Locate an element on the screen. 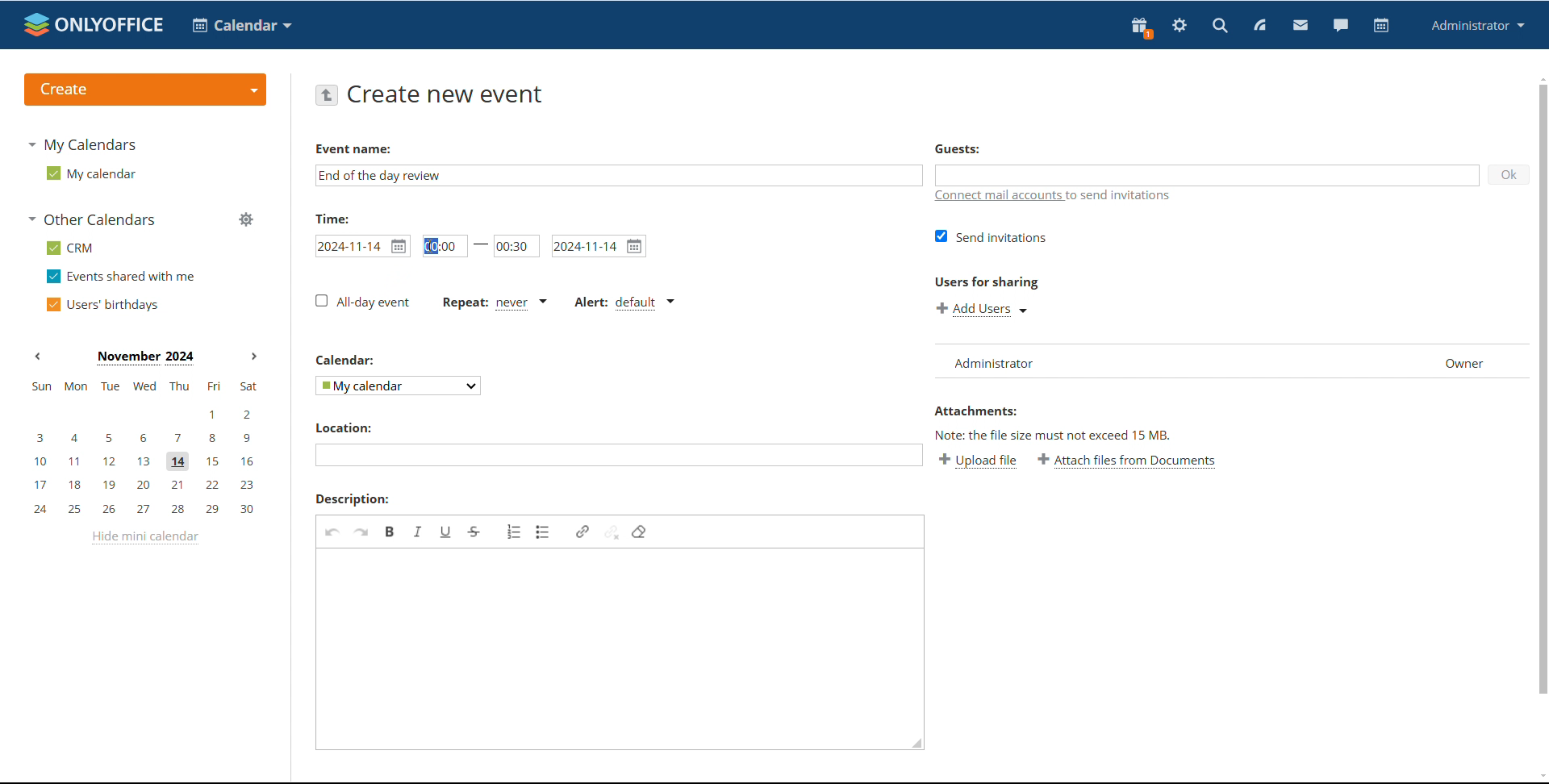  unlink is located at coordinates (612, 531).